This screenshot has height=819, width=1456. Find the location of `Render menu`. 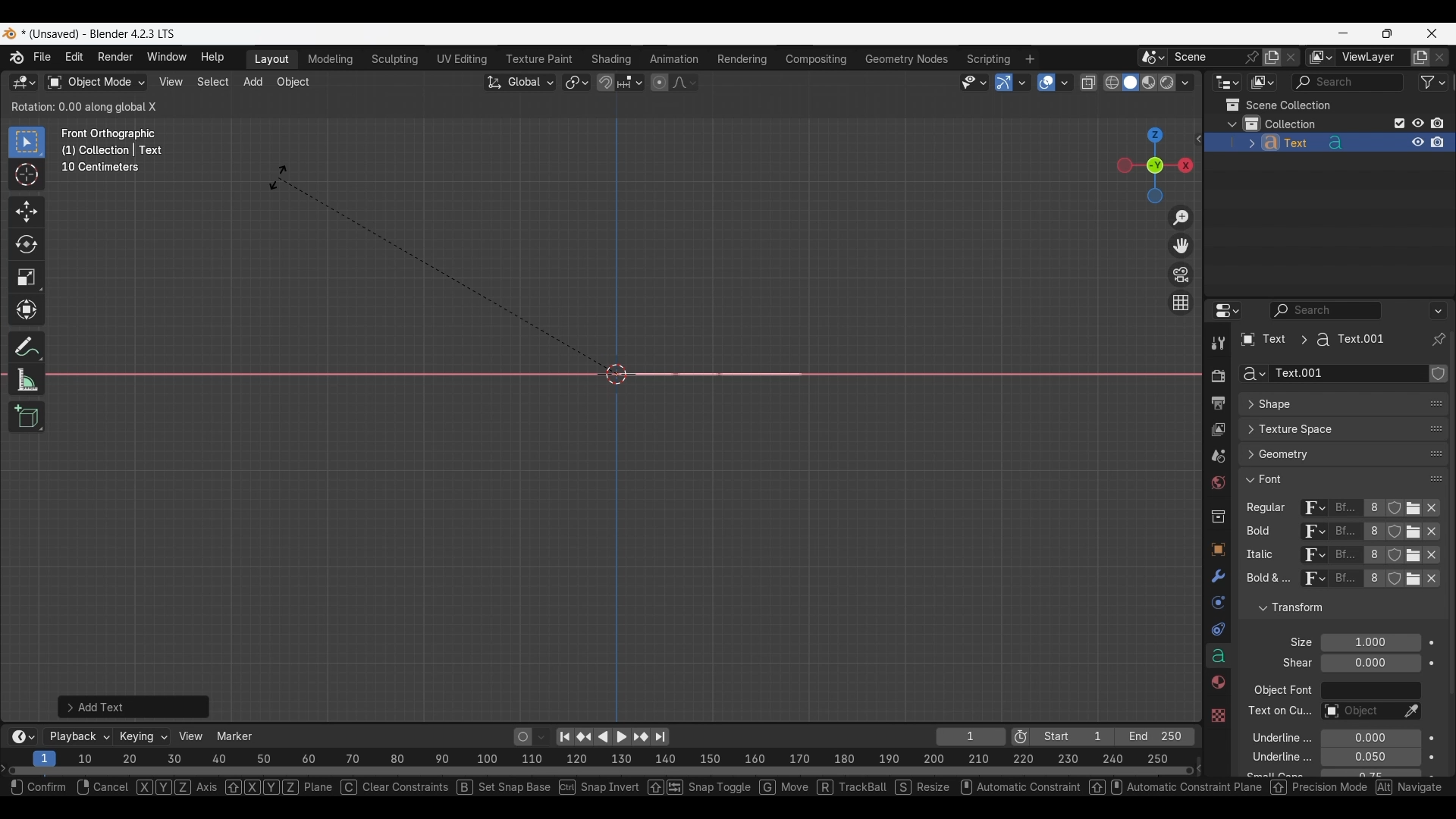

Render menu is located at coordinates (115, 58).